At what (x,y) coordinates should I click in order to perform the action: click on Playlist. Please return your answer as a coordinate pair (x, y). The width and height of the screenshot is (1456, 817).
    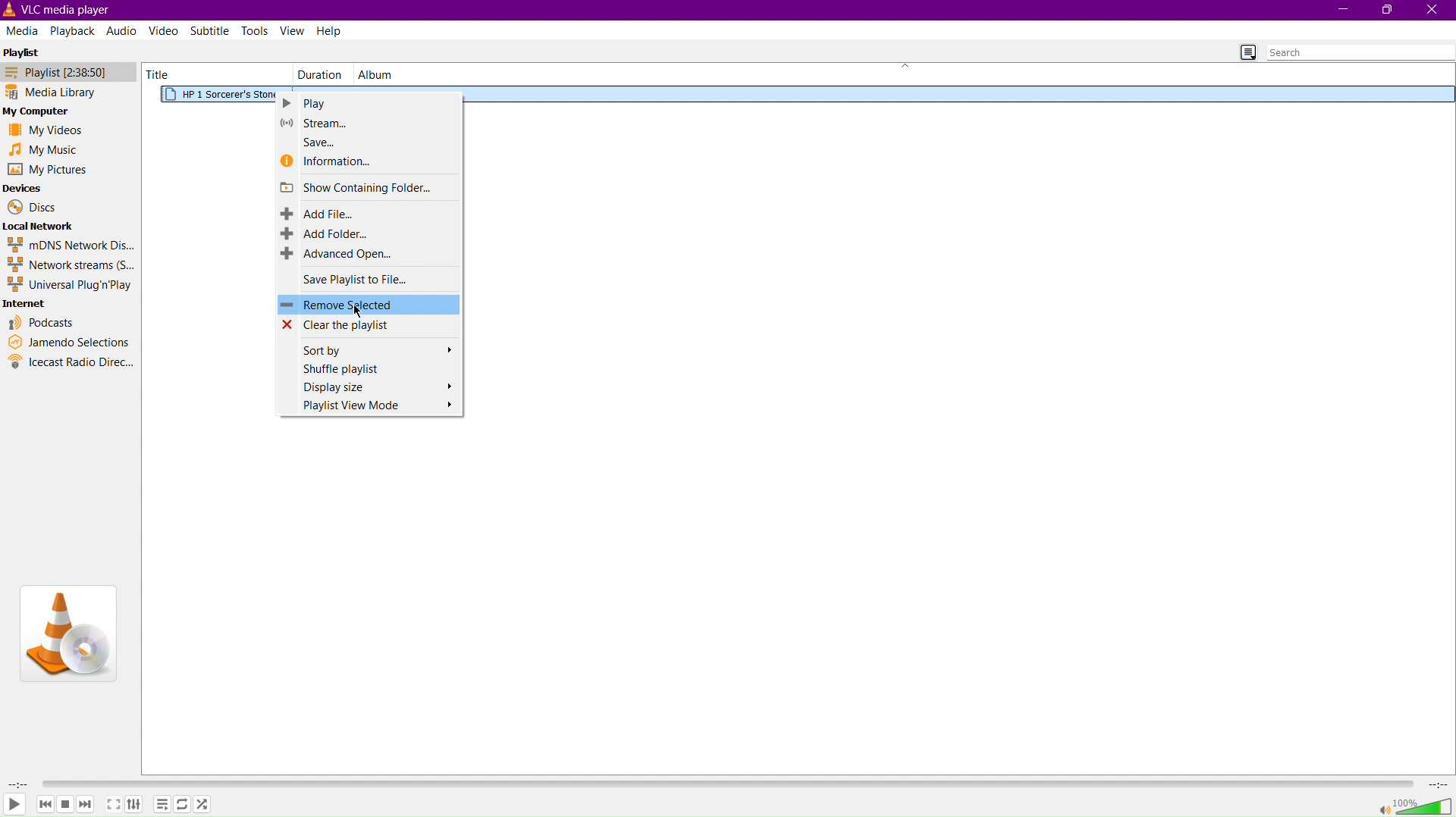
    Looking at the image, I should click on (163, 803).